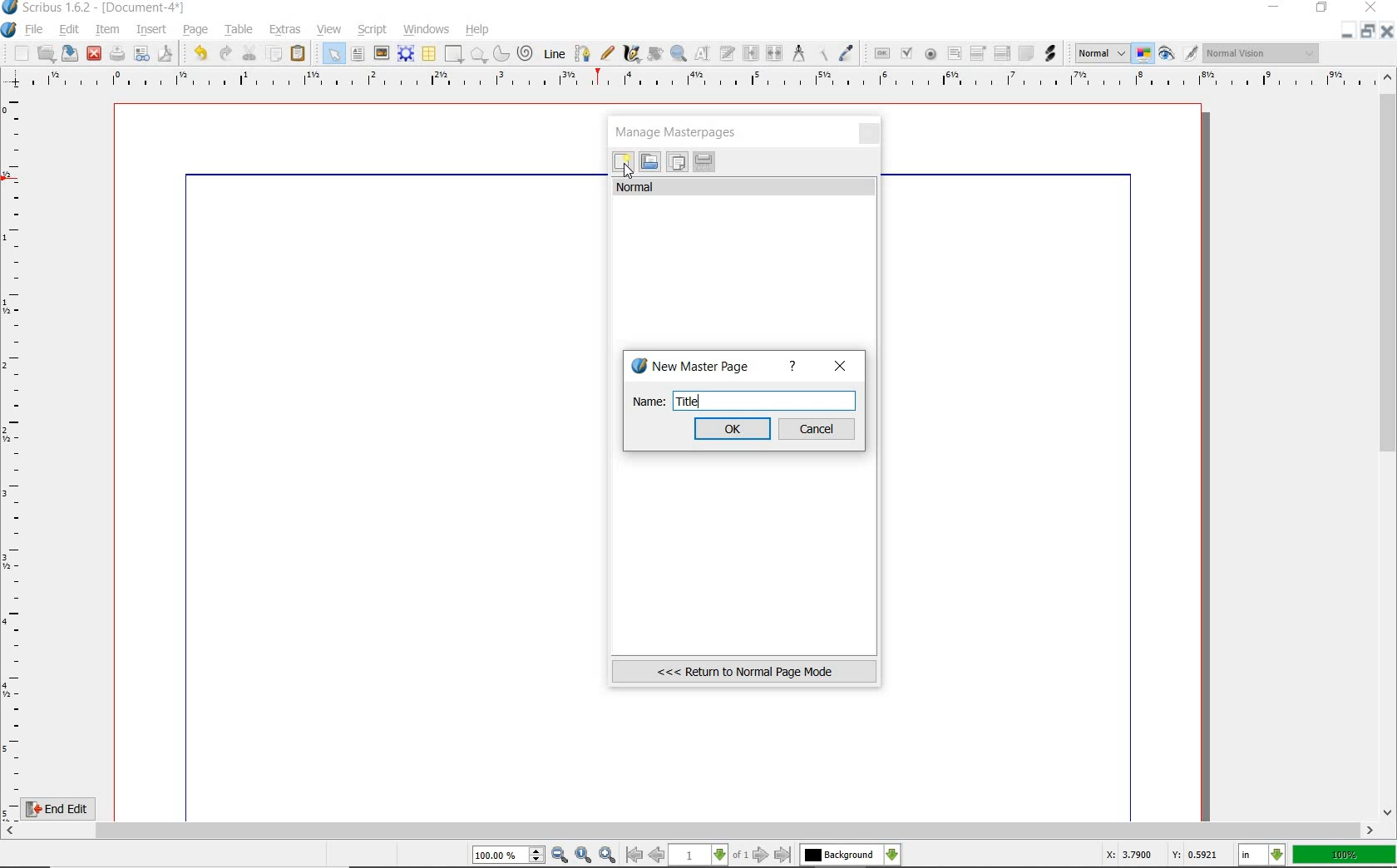 The width and height of the screenshot is (1397, 868). I want to click on close, so click(94, 52).